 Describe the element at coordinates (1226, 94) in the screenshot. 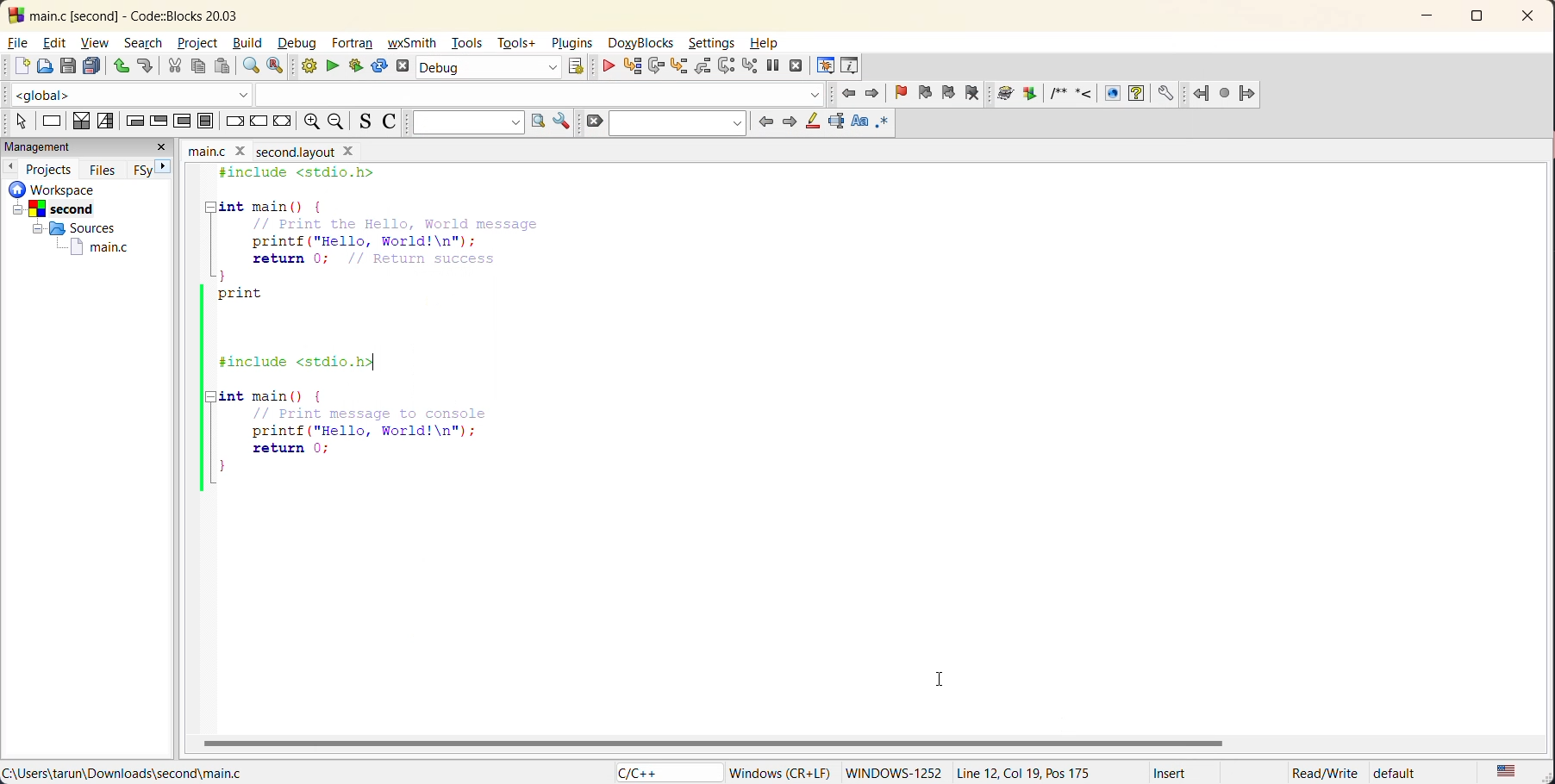

I see `last jump` at that location.